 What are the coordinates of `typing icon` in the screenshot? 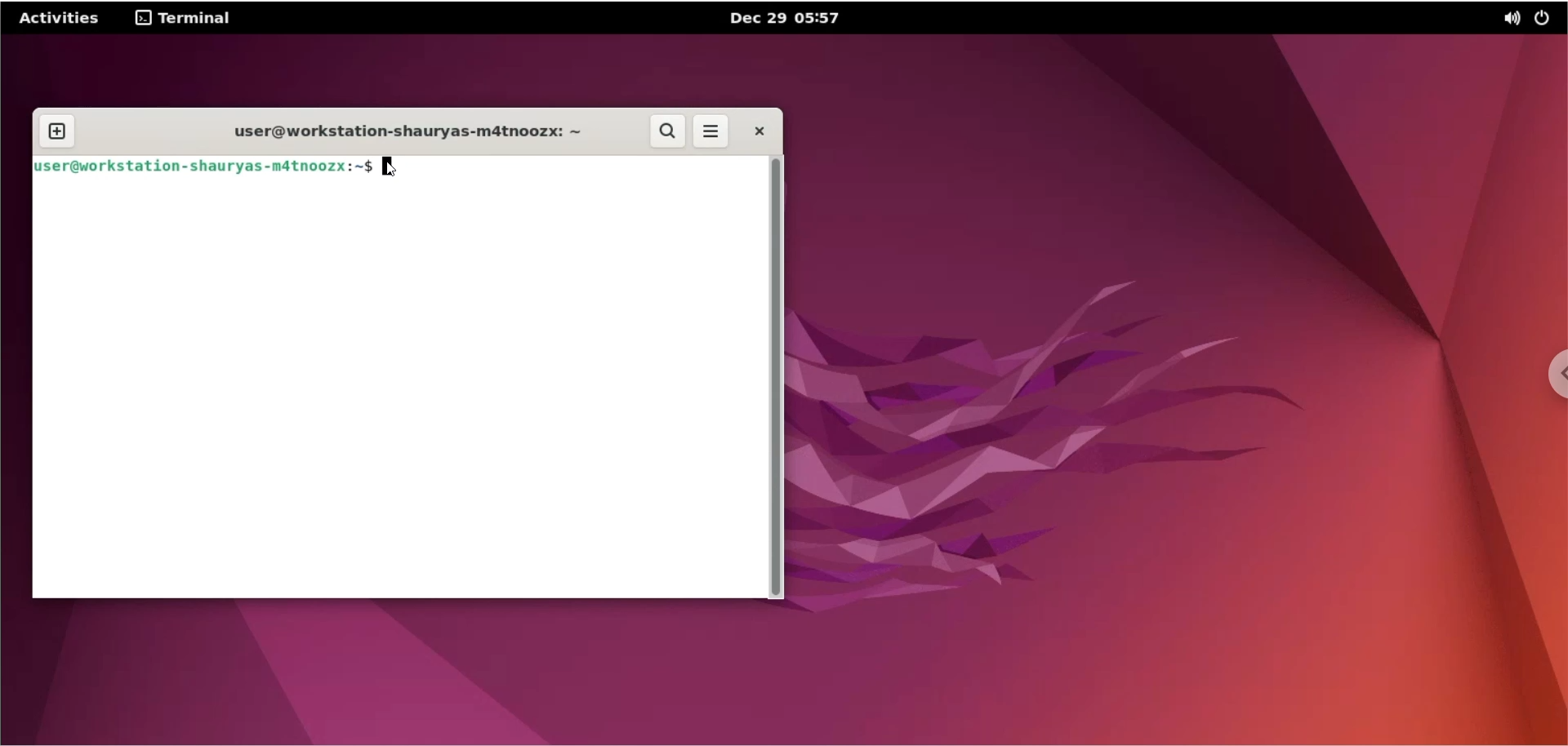 It's located at (391, 171).